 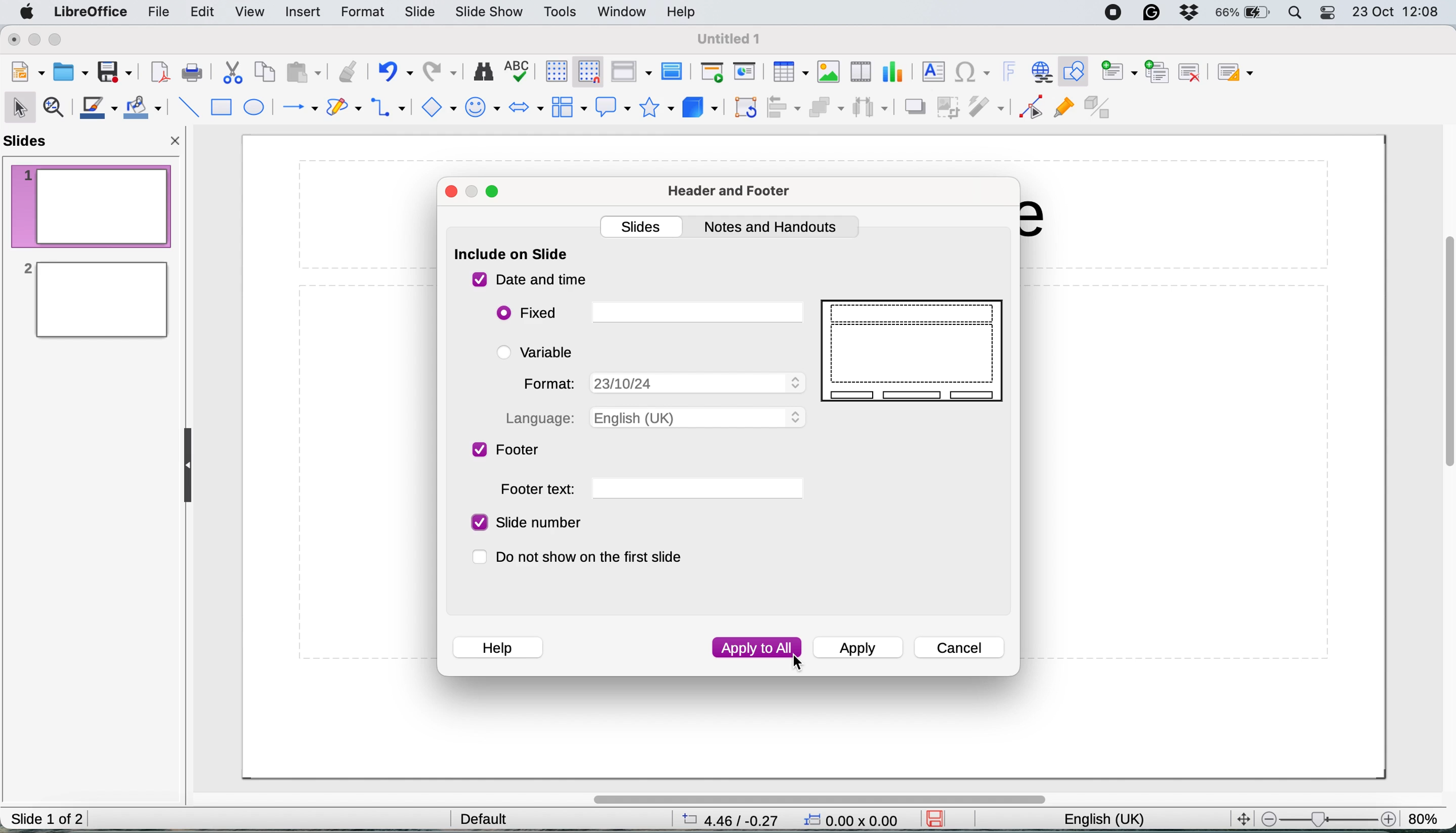 I want to click on tools, so click(x=561, y=13).